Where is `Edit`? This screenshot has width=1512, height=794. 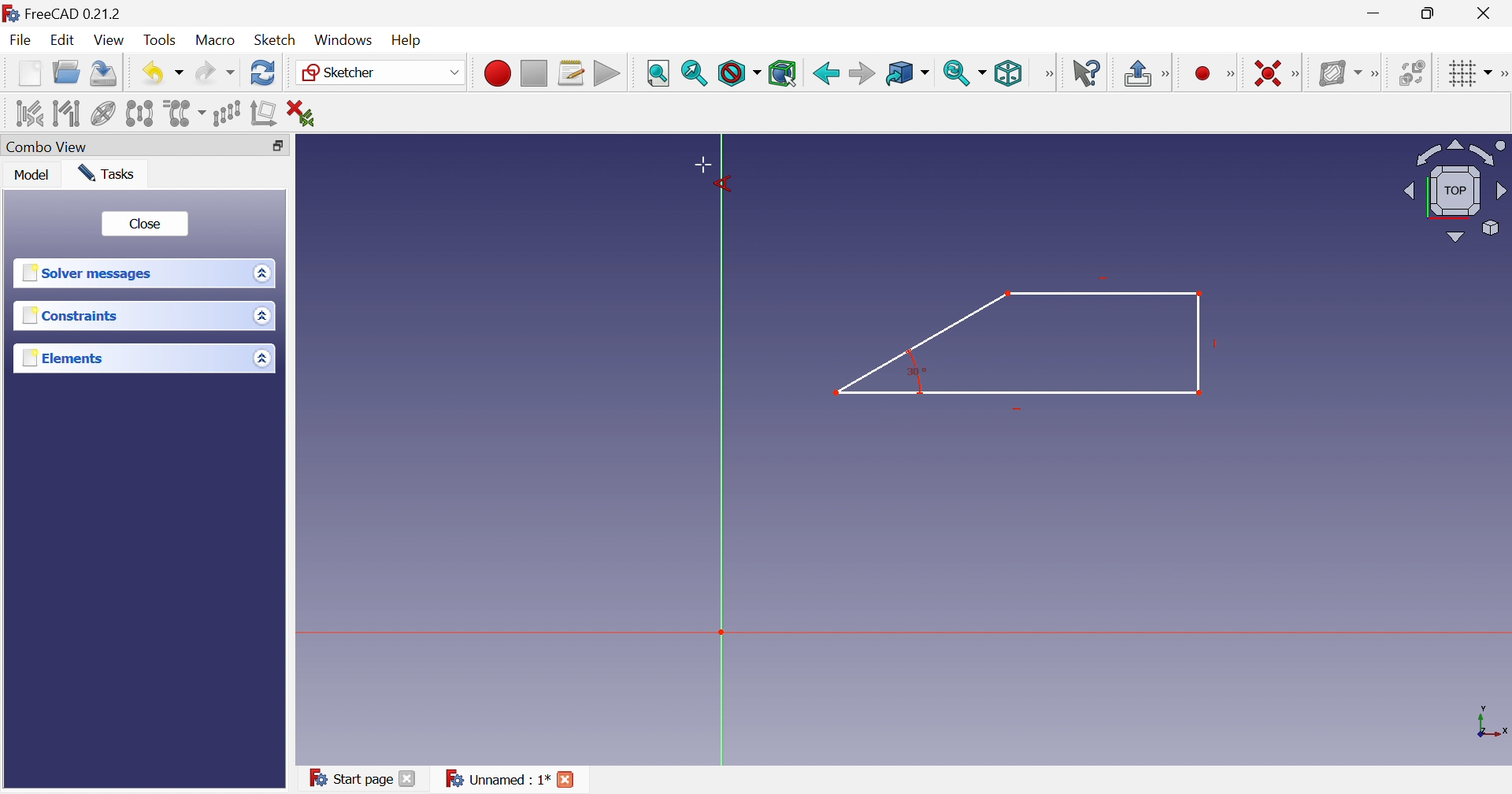 Edit is located at coordinates (64, 41).